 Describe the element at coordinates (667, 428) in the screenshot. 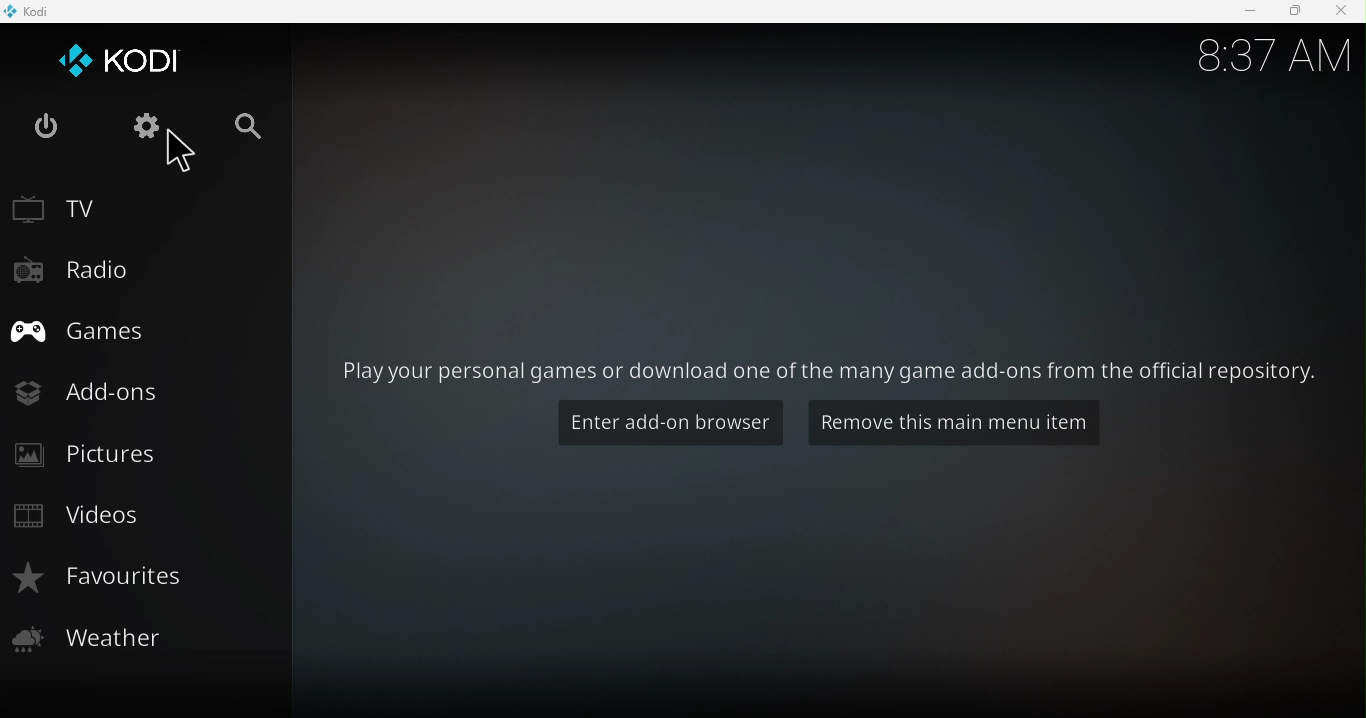

I see `Enter add-on browser` at that location.